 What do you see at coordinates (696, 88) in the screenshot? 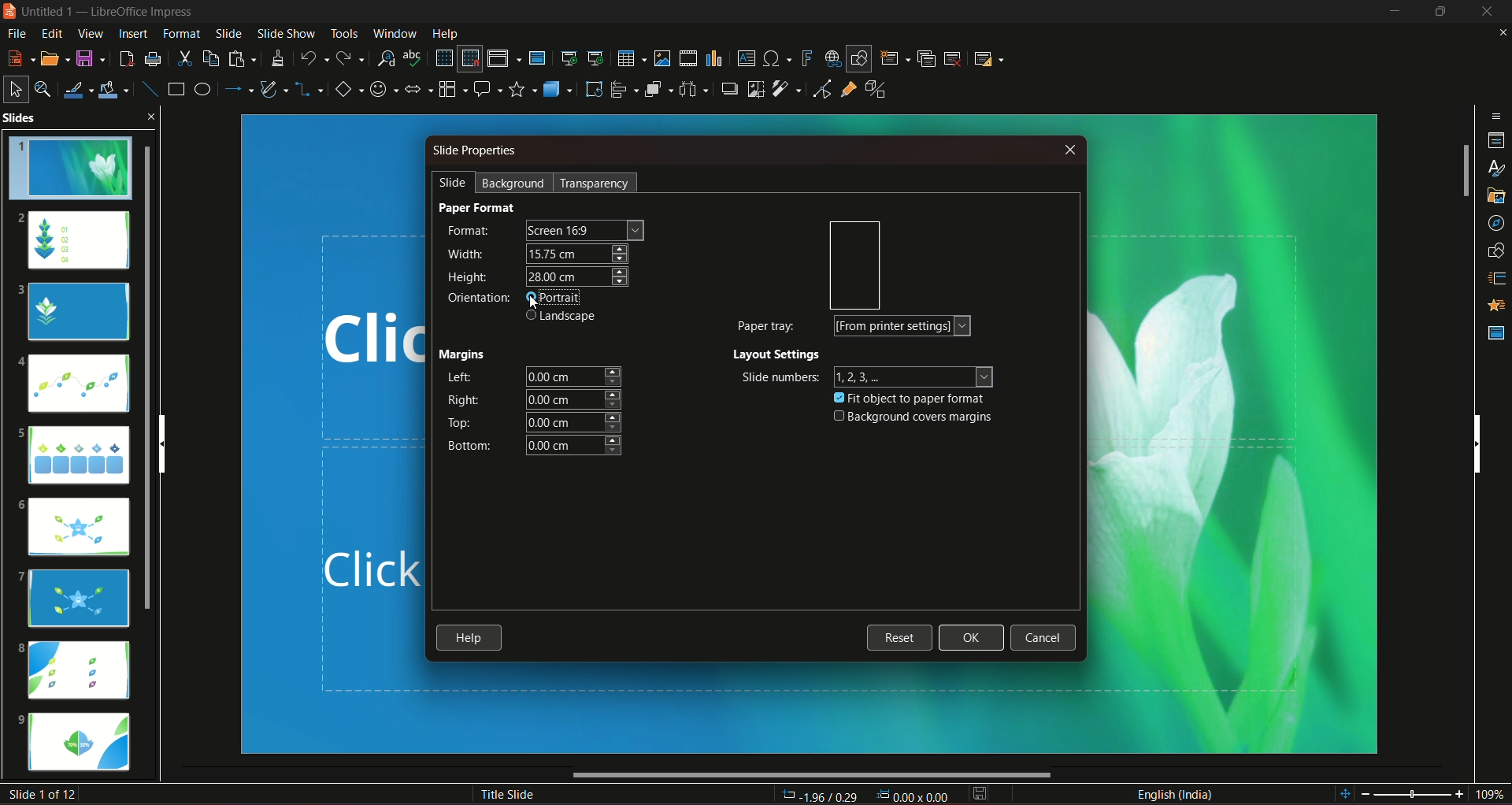
I see `select atlest 3 objects` at bounding box center [696, 88].